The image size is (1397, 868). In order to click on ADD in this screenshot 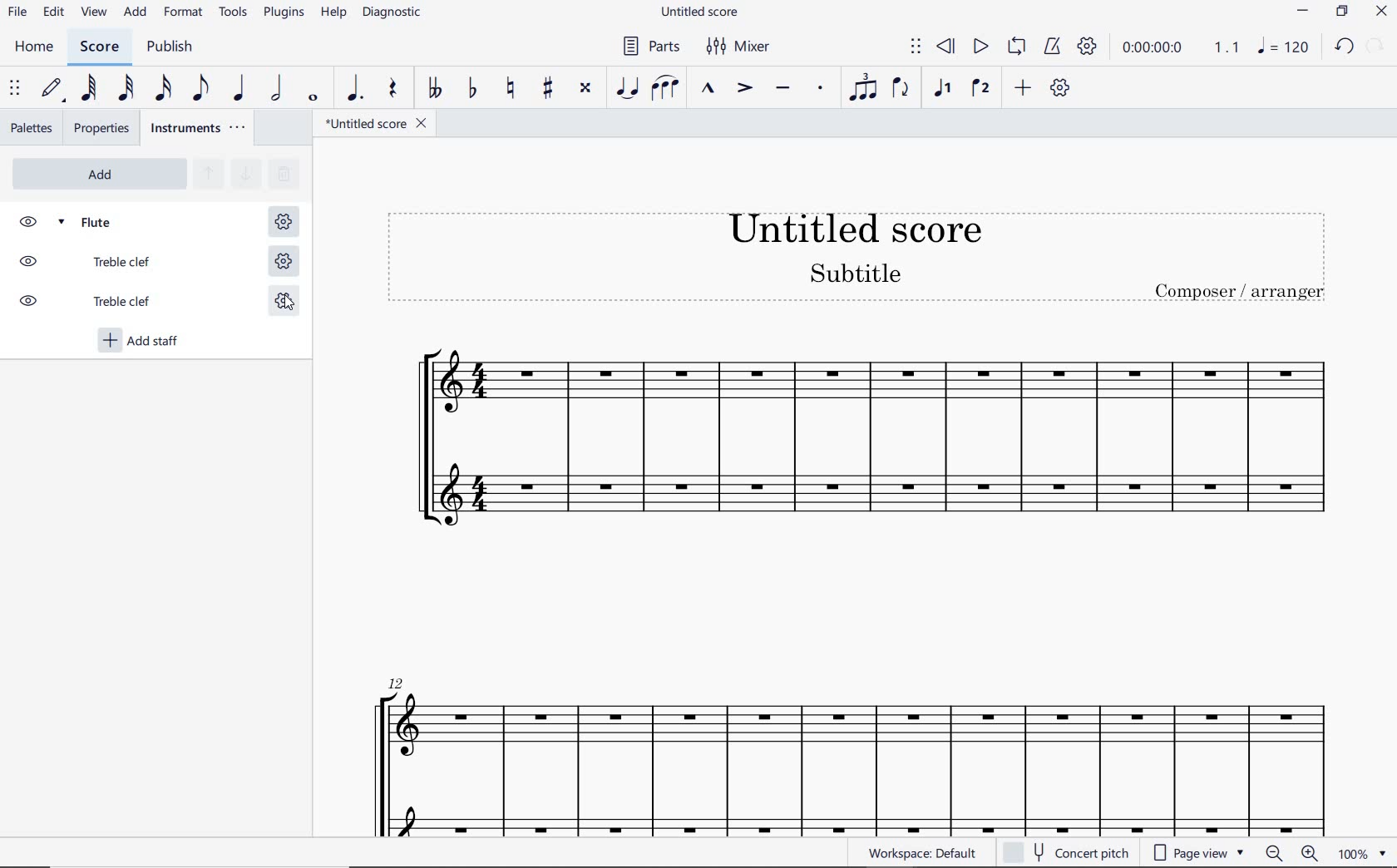, I will do `click(1024, 88)`.